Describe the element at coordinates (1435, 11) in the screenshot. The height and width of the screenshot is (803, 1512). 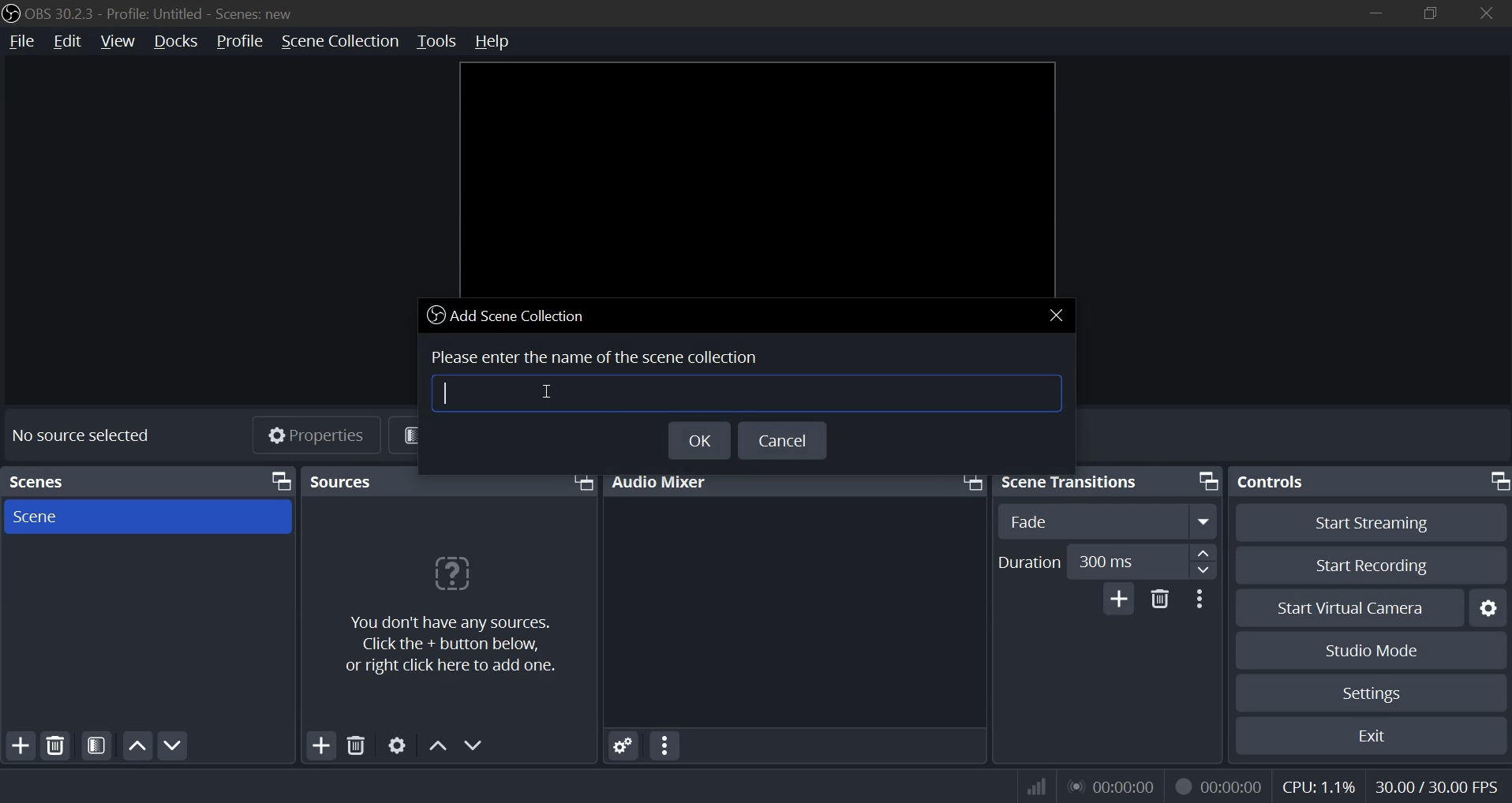
I see `restore down` at that location.